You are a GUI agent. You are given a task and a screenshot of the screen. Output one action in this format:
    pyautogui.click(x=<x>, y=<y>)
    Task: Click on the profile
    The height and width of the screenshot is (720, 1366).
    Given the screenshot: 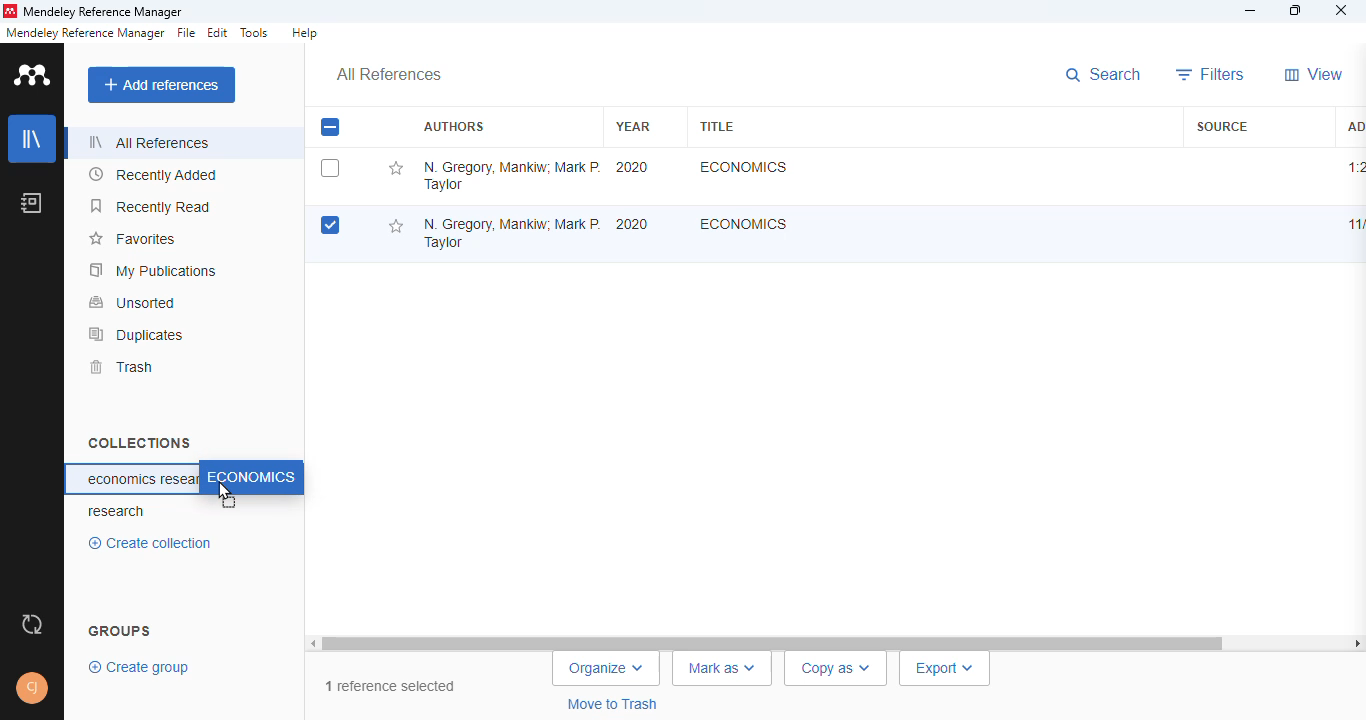 What is the action you would take?
    pyautogui.click(x=34, y=688)
    